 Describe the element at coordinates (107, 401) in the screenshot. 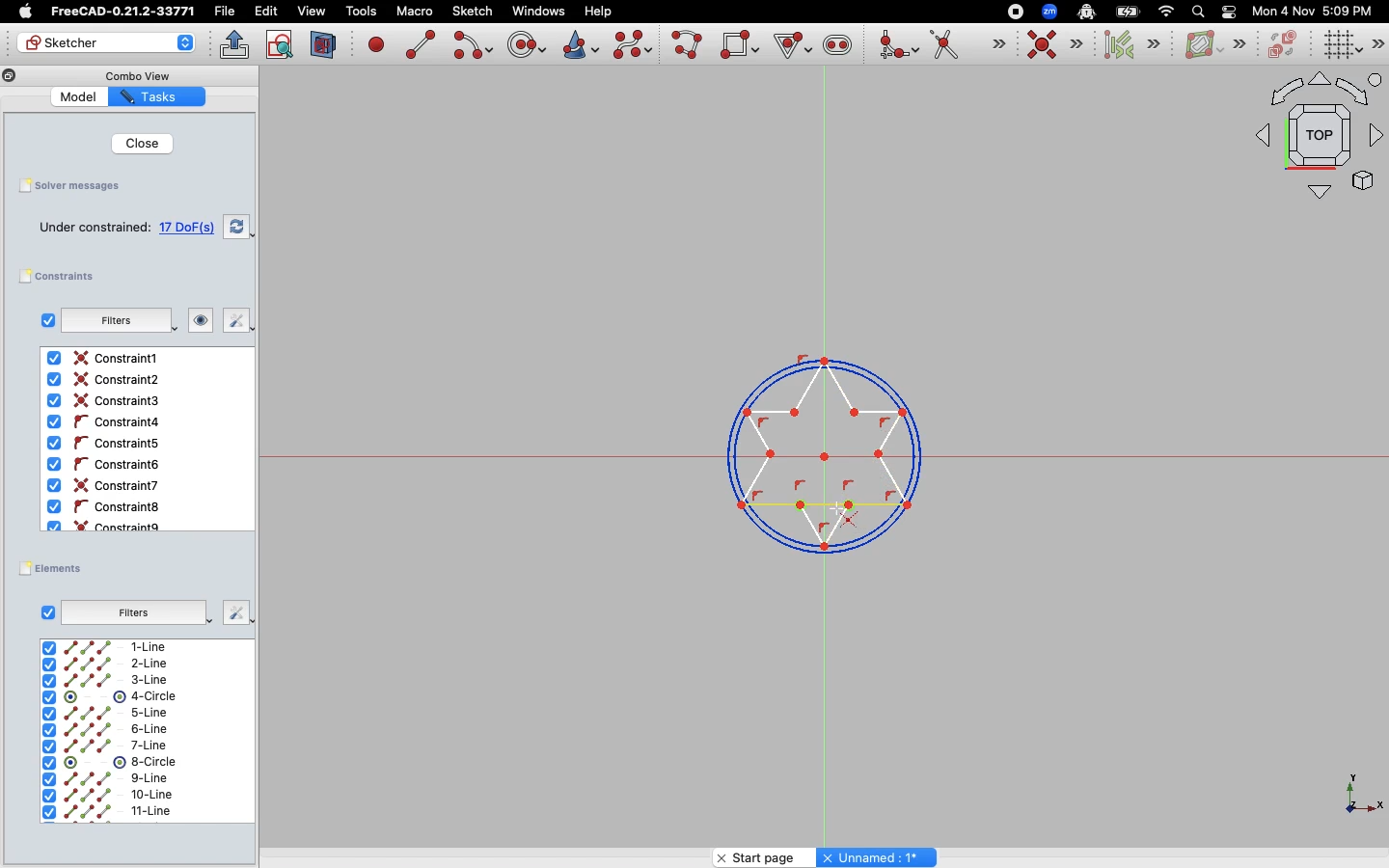

I see `Contraint3` at that location.